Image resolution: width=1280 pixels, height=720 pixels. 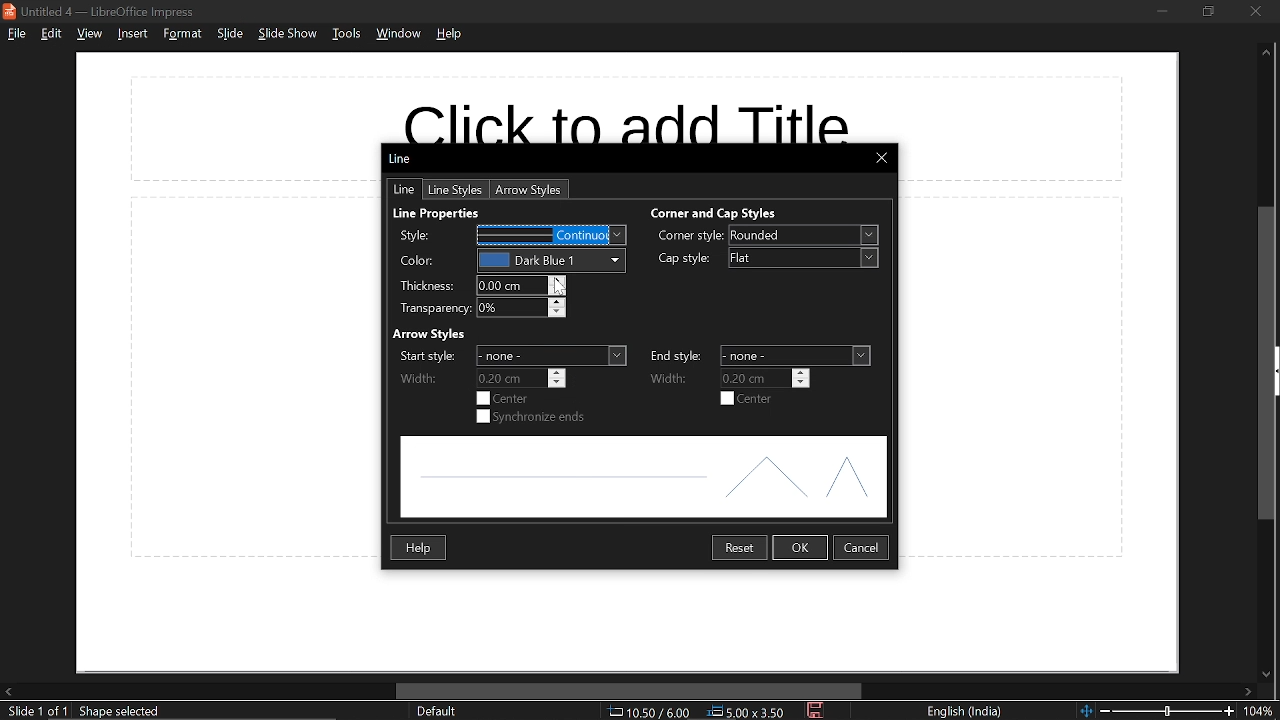 I want to click on end center, so click(x=747, y=398).